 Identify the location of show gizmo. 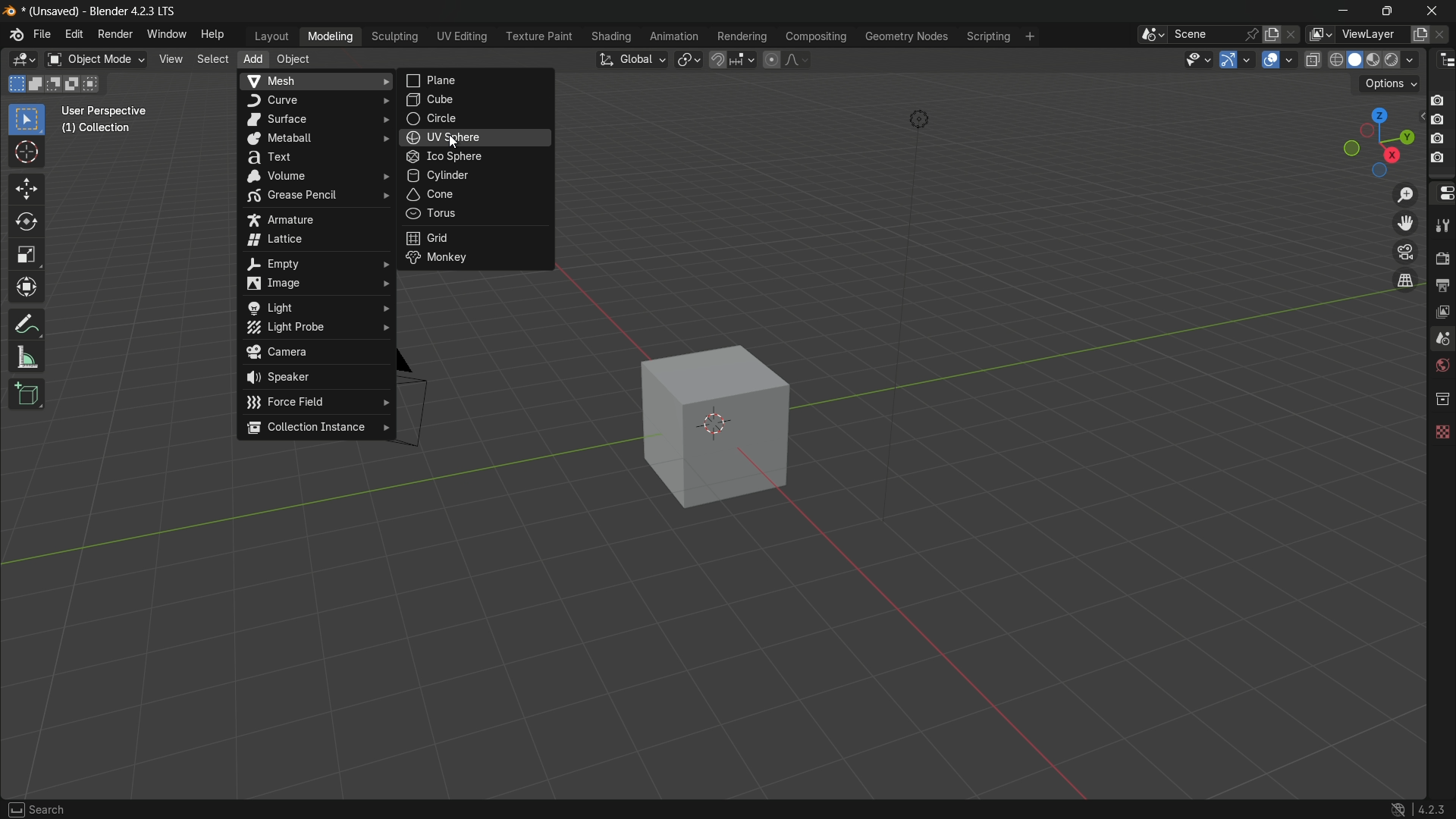
(1229, 60).